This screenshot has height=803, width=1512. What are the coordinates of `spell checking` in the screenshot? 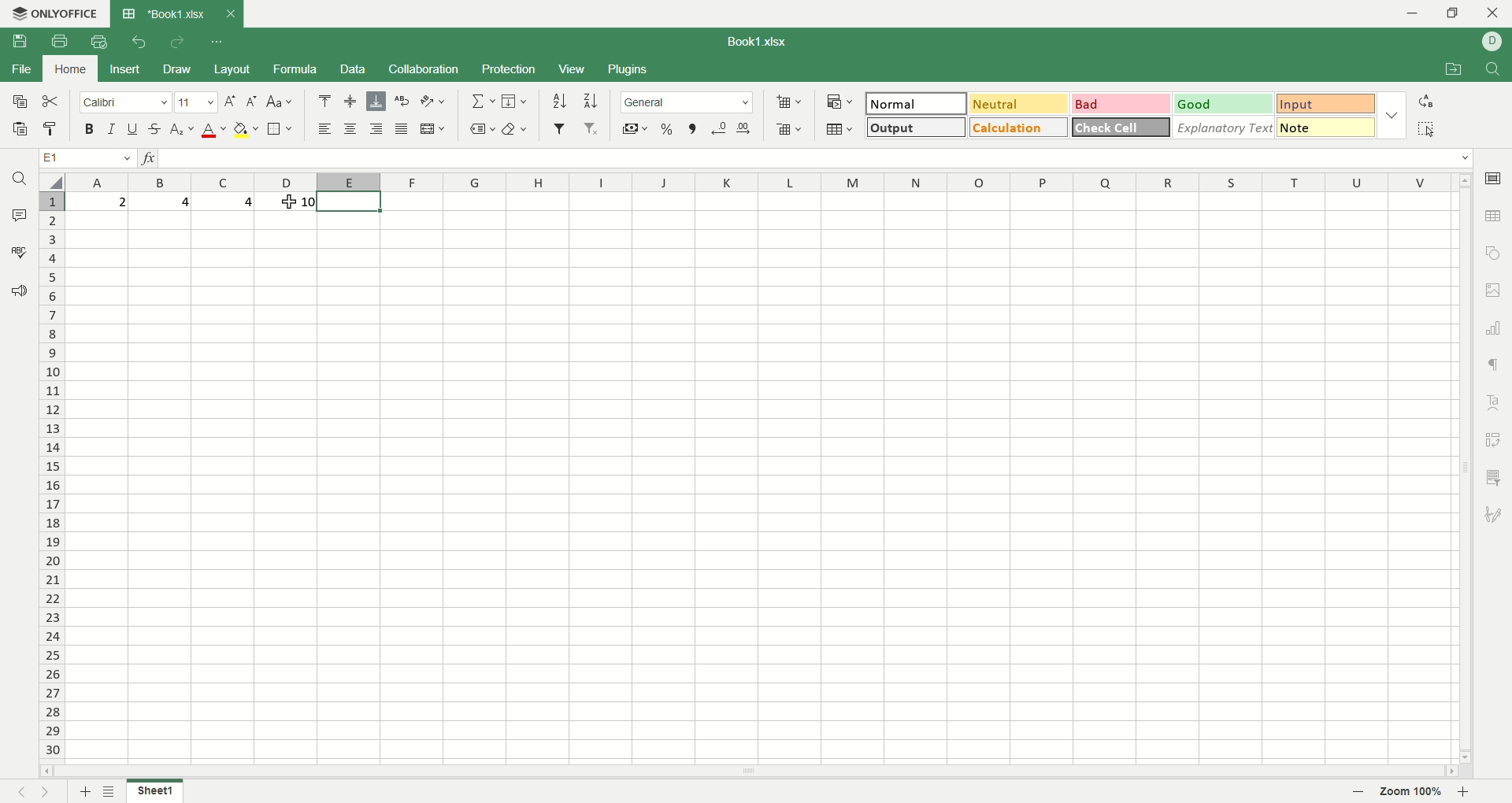 It's located at (18, 253).